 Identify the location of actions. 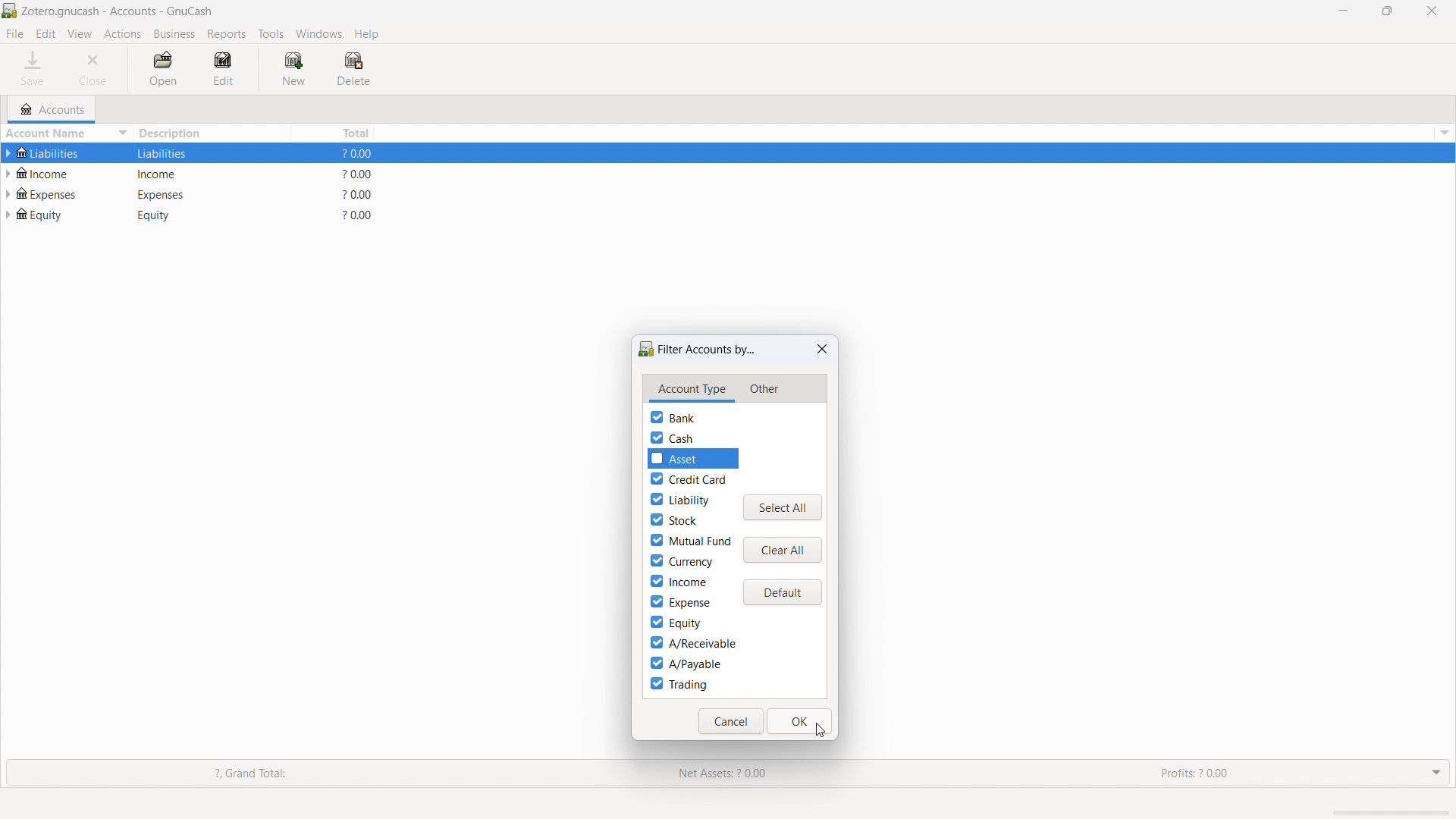
(123, 35).